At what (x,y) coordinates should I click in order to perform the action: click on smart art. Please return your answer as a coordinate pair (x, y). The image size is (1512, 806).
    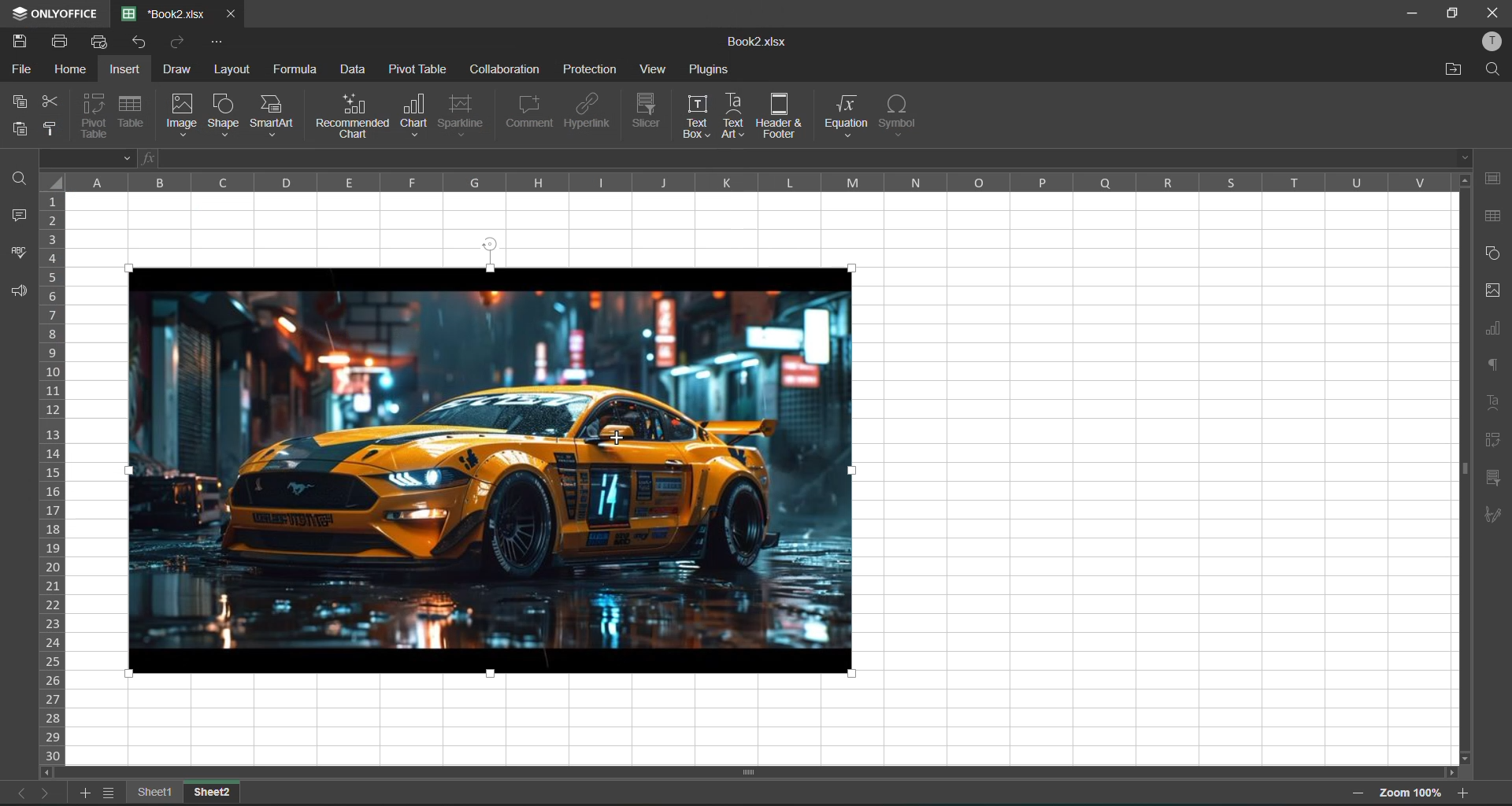
    Looking at the image, I should click on (273, 116).